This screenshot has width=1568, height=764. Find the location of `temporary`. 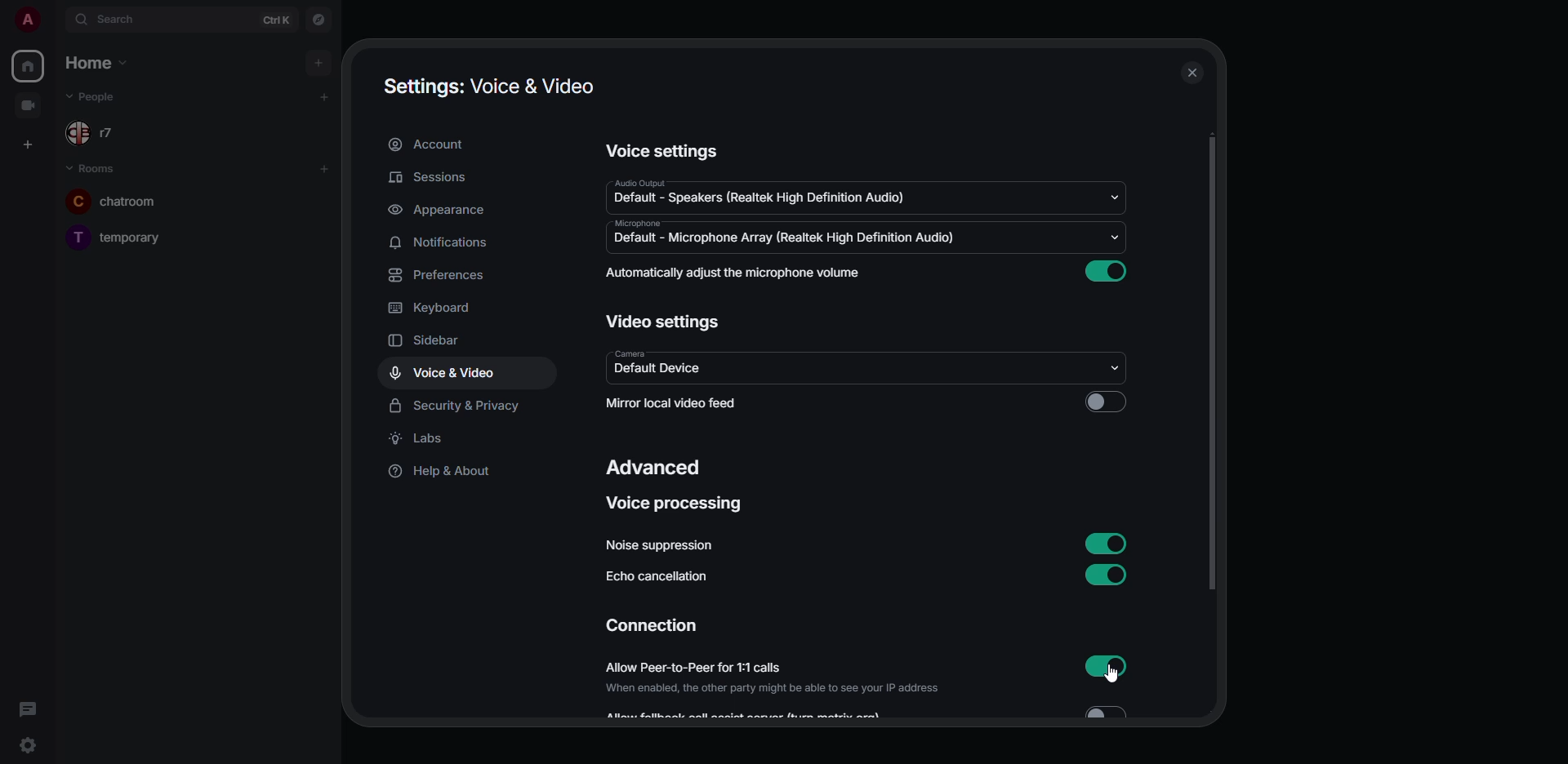

temporary is located at coordinates (119, 236).